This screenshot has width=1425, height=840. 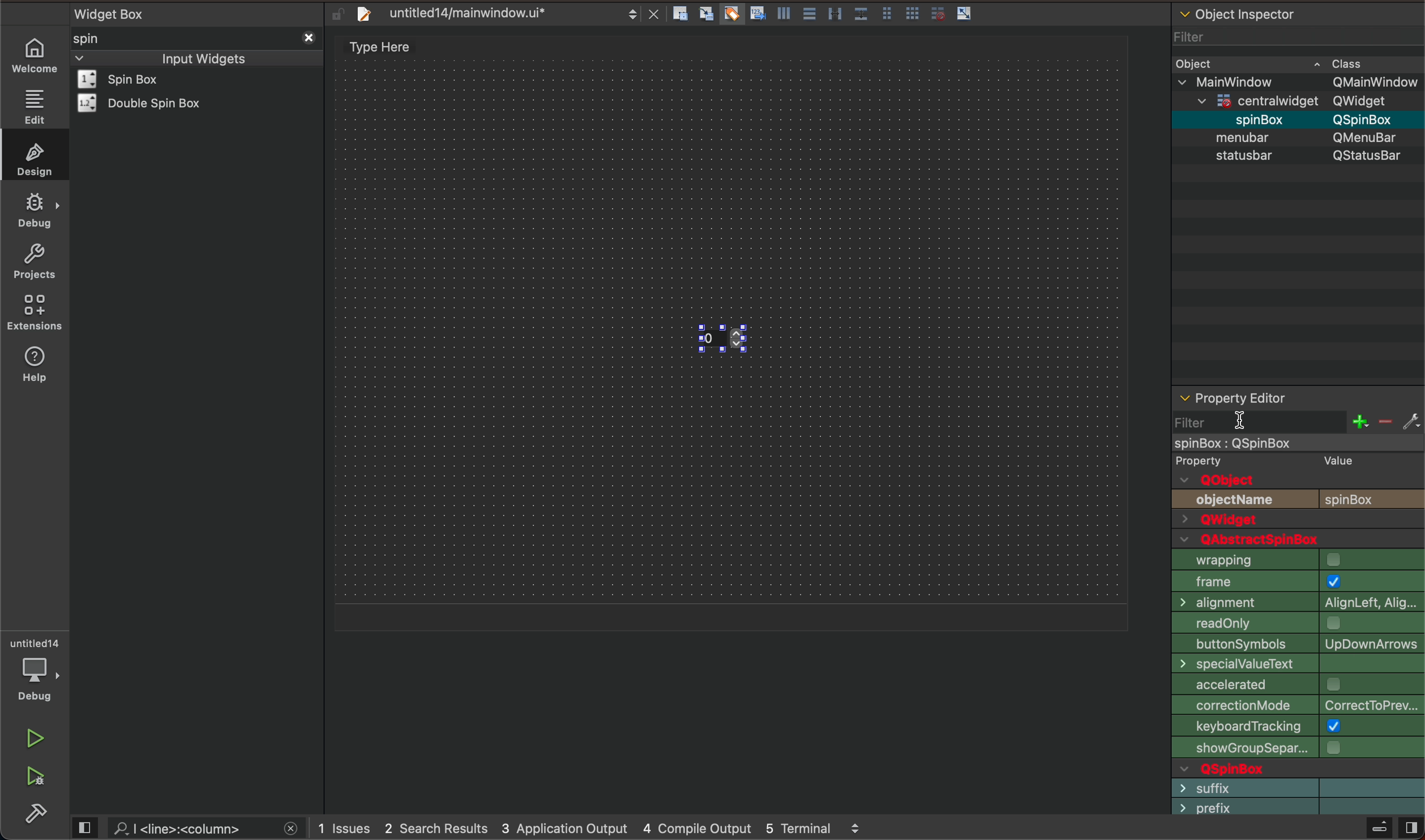 I want to click on object, so click(x=1198, y=62).